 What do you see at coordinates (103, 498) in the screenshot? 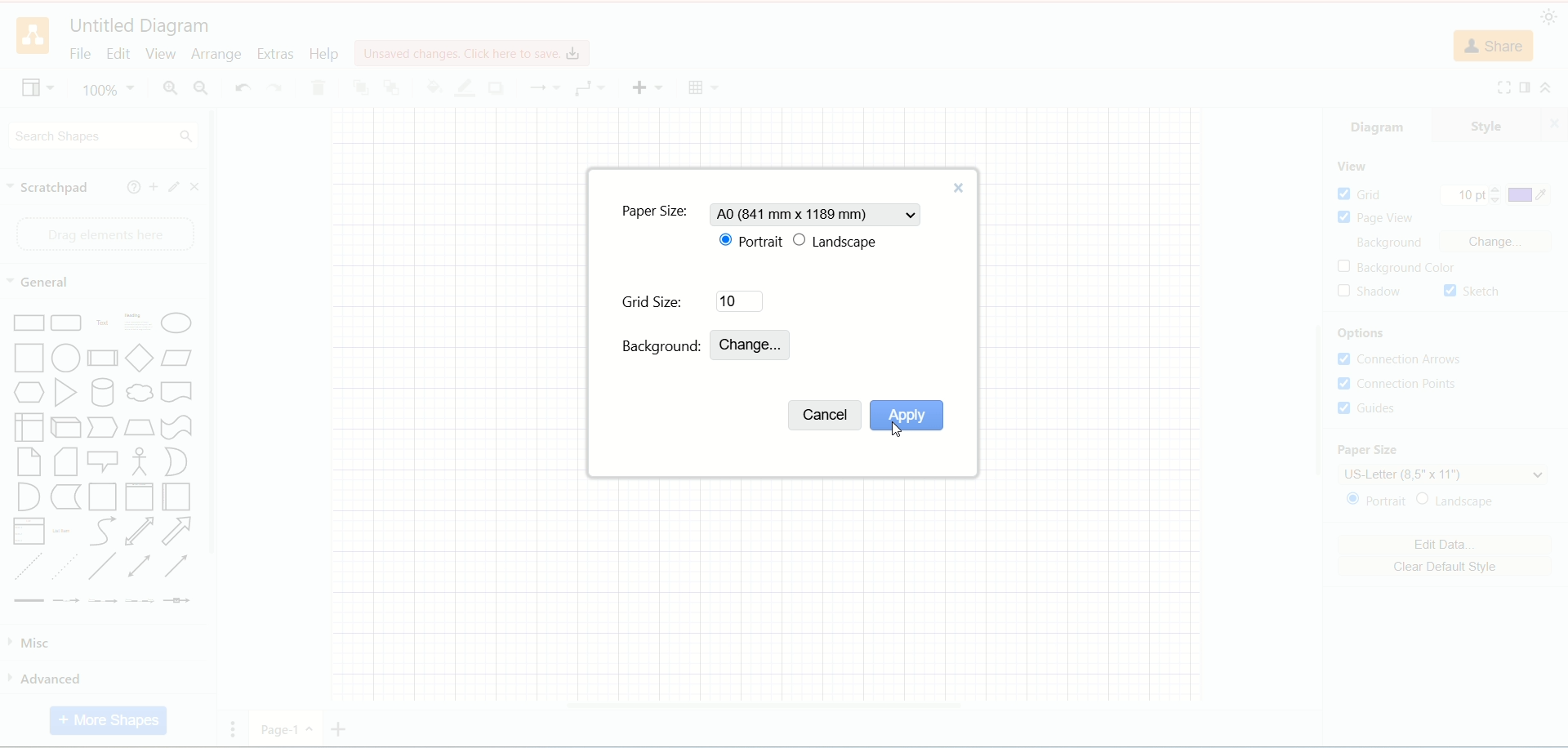
I see `Container` at bounding box center [103, 498].